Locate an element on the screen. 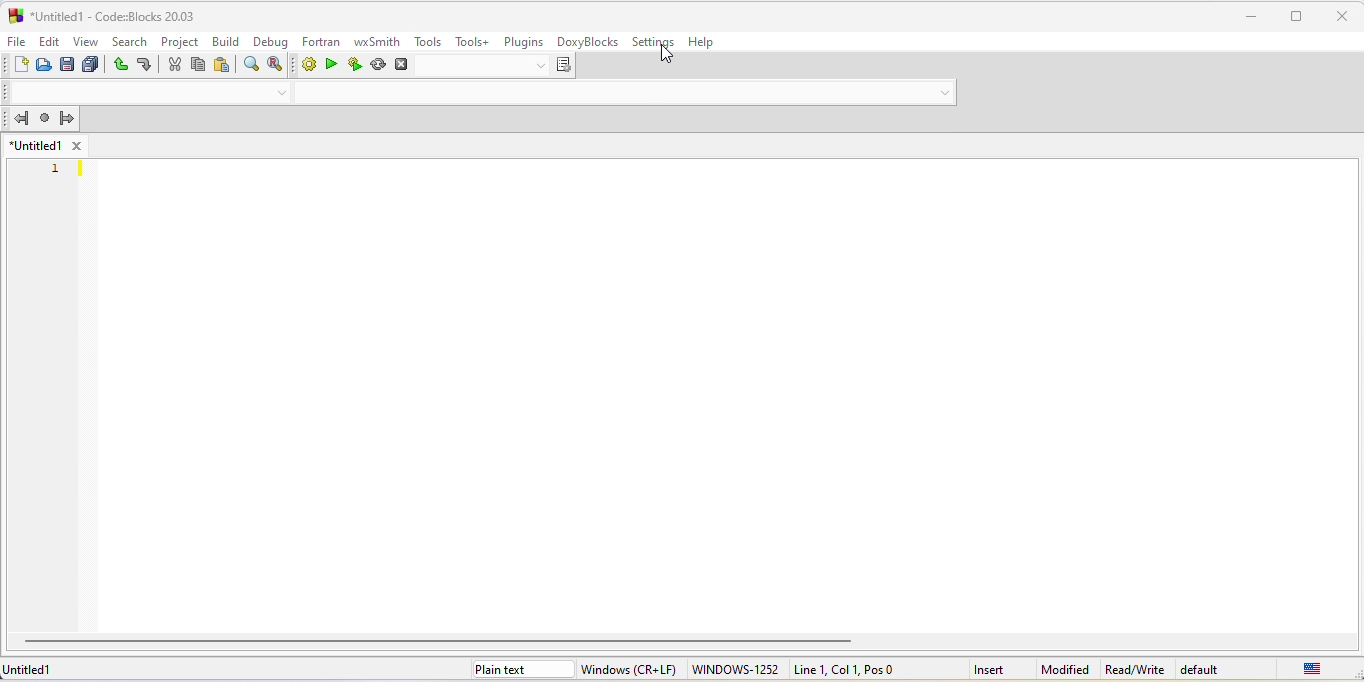 This screenshot has width=1364, height=682. rebuild is located at coordinates (378, 64).